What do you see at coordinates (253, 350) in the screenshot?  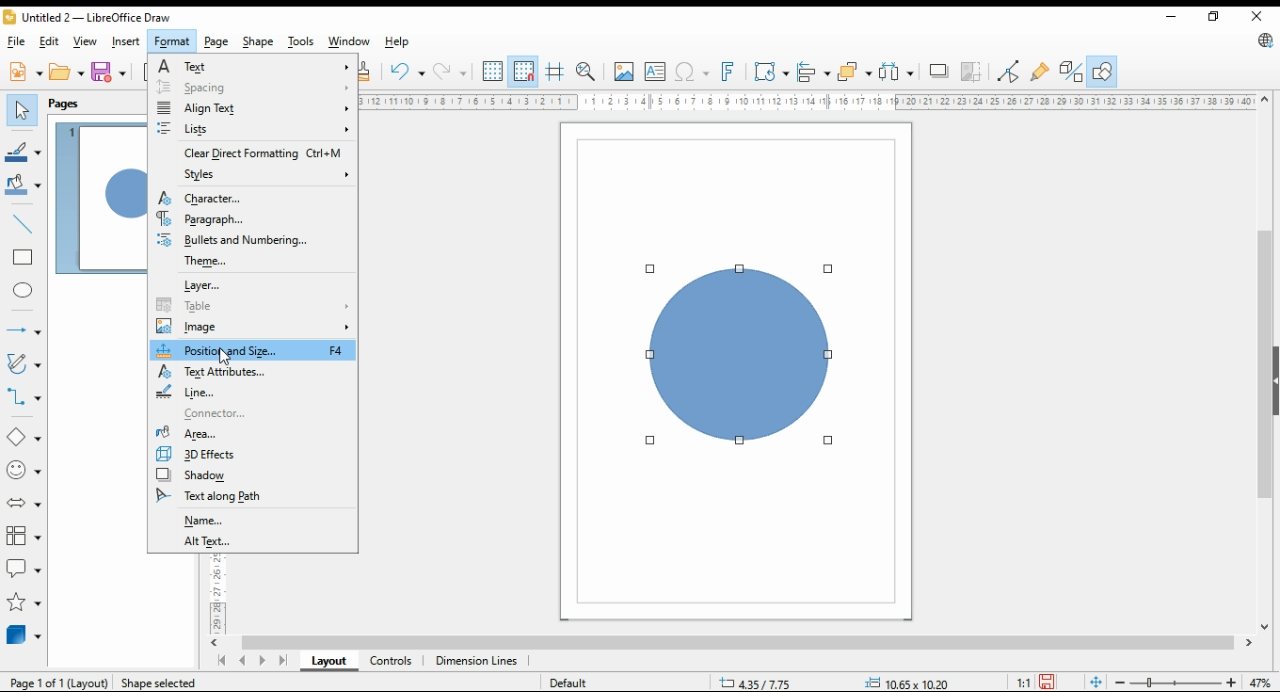 I see `position and size` at bounding box center [253, 350].